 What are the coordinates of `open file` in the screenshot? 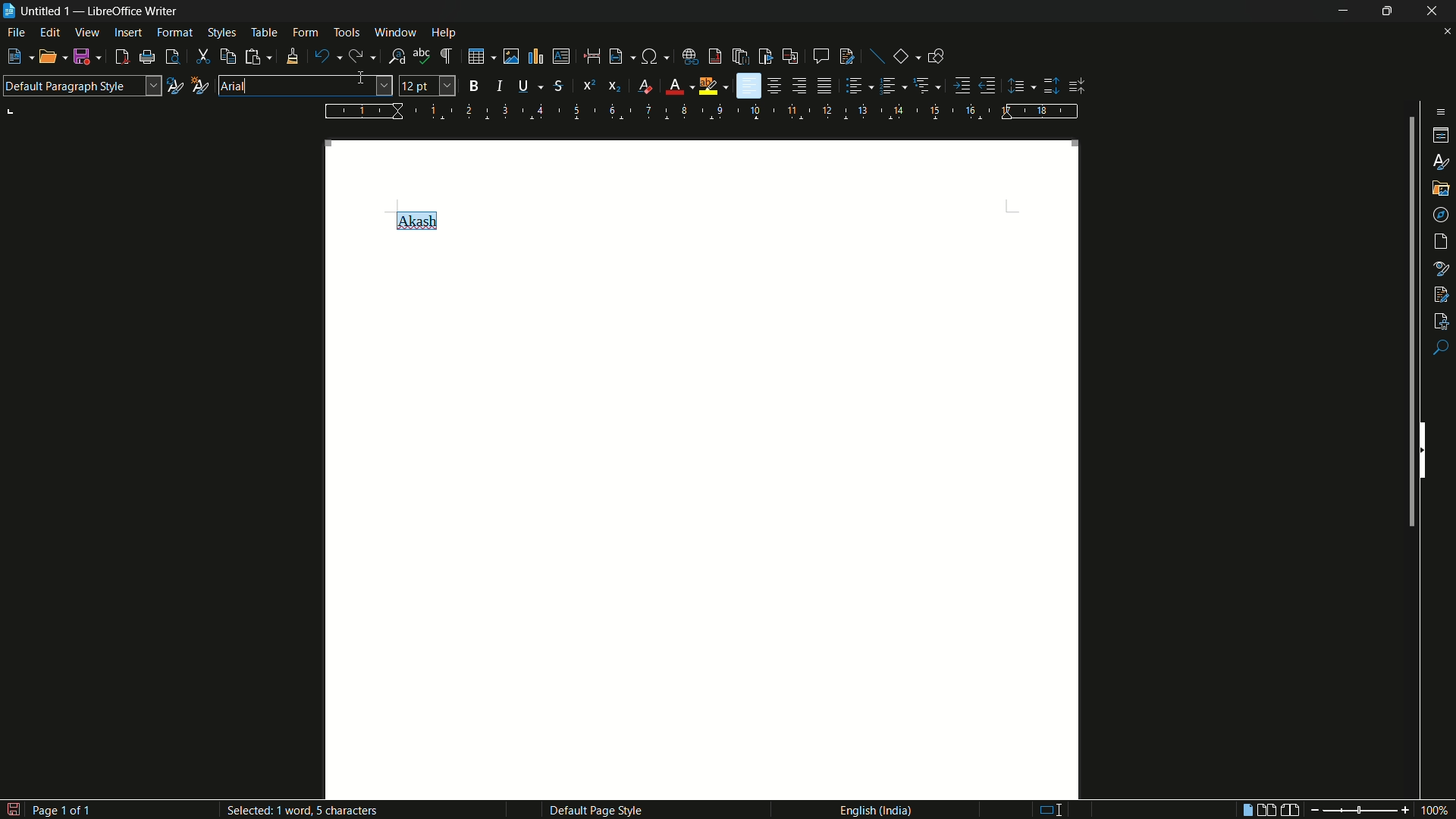 It's located at (44, 58).